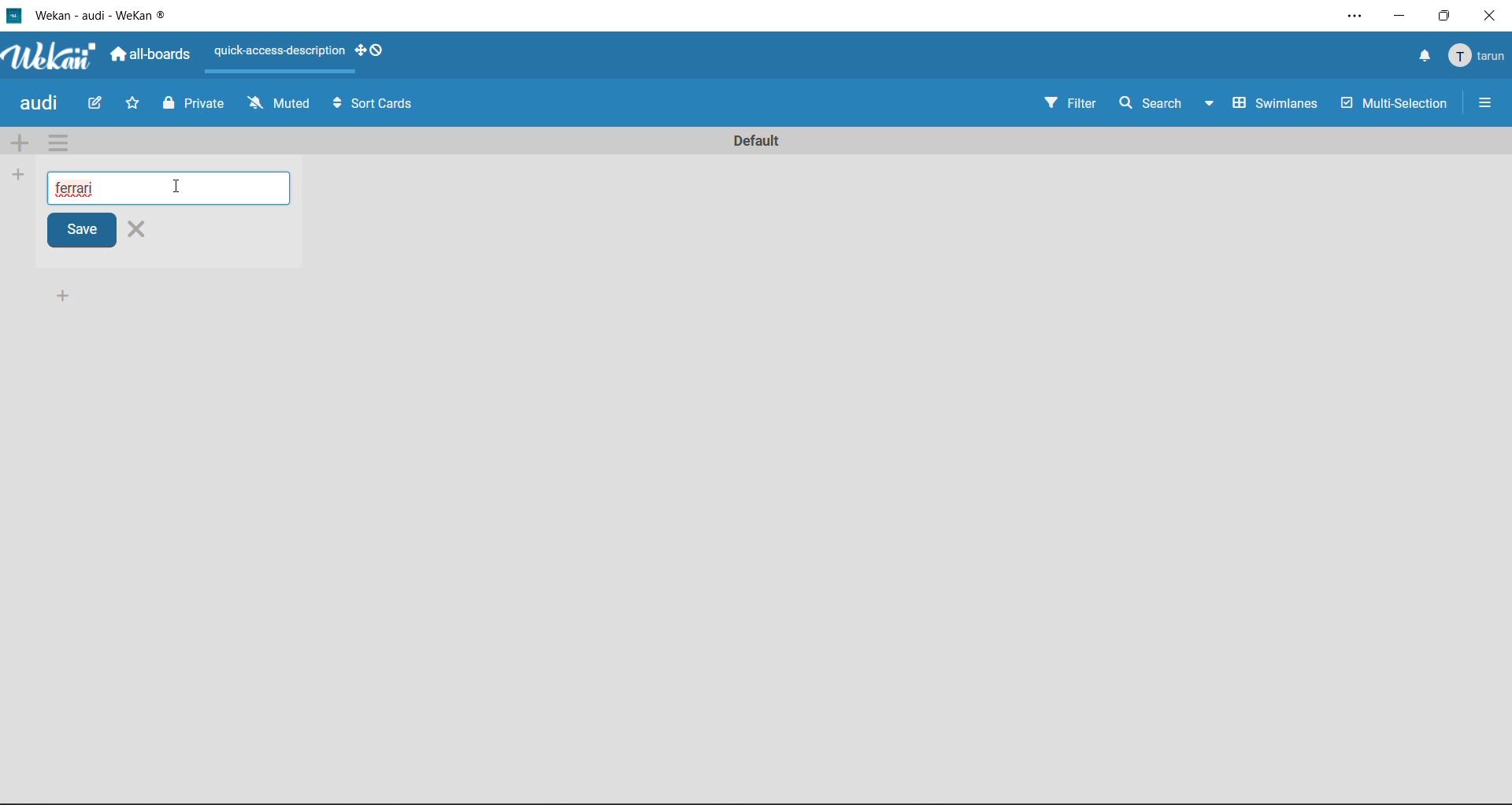  I want to click on Muted, so click(279, 104).